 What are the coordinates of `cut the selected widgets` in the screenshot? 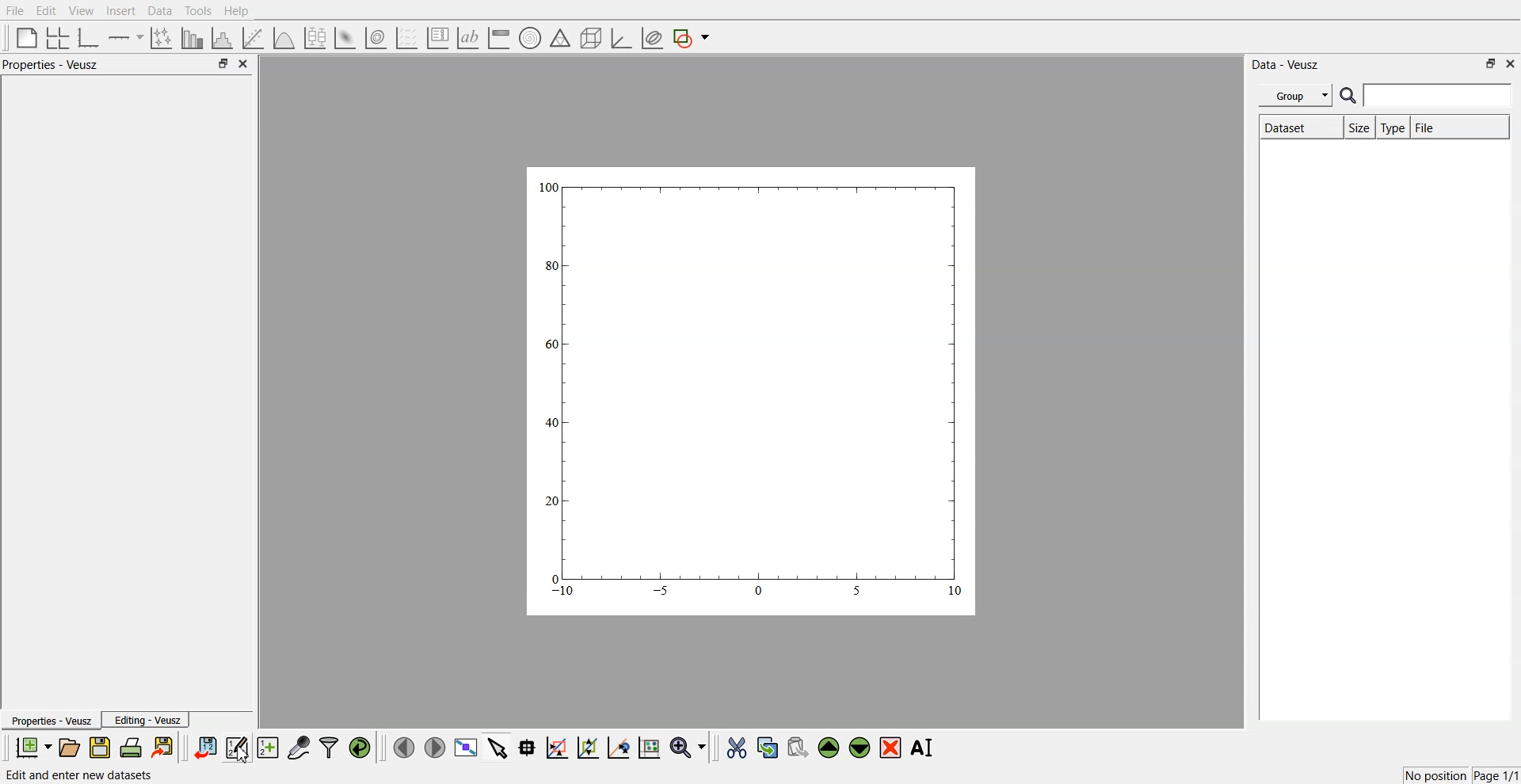 It's located at (735, 748).